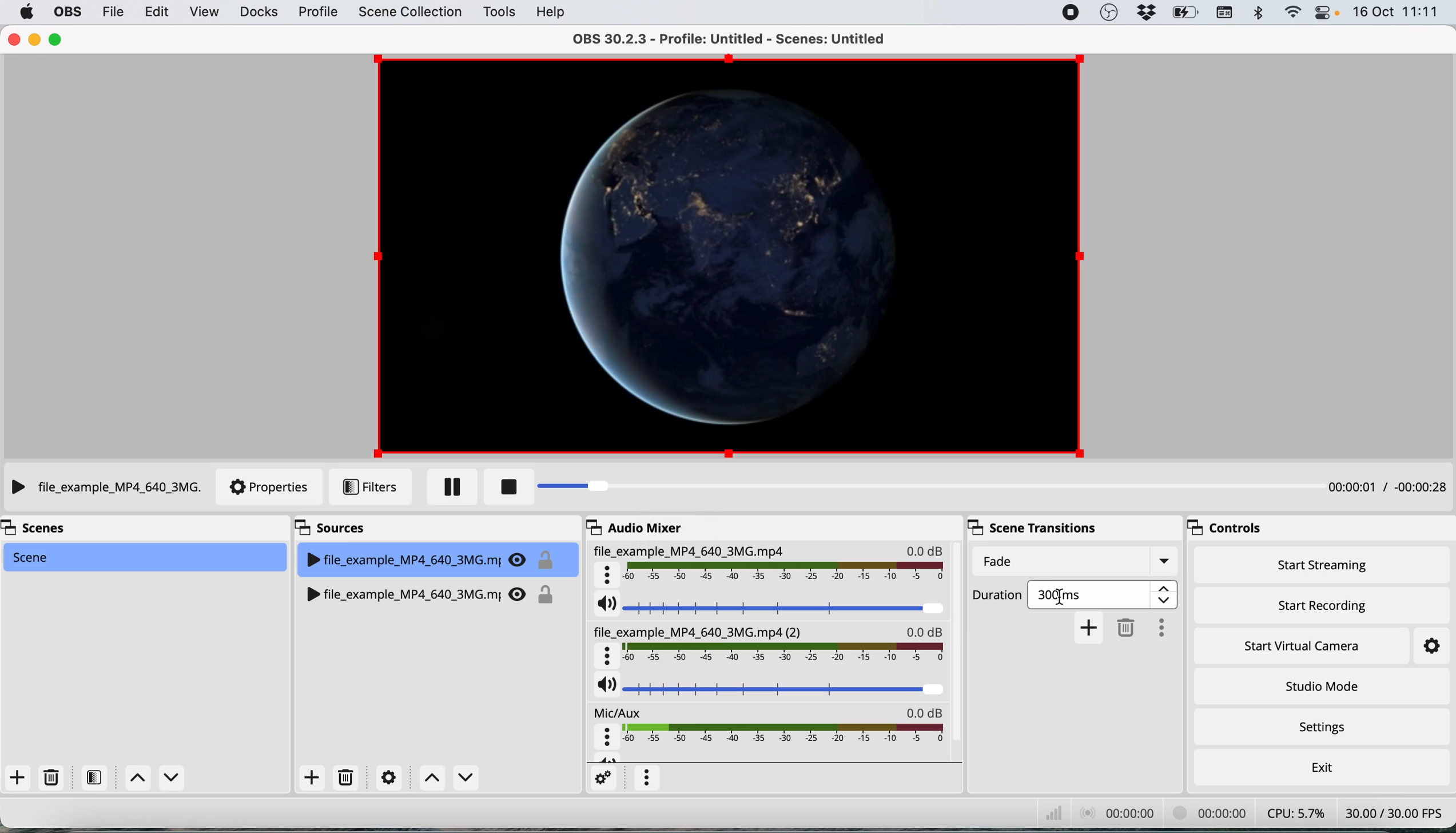 This screenshot has height=833, width=1456. Describe the element at coordinates (1327, 567) in the screenshot. I see `start streaming` at that location.